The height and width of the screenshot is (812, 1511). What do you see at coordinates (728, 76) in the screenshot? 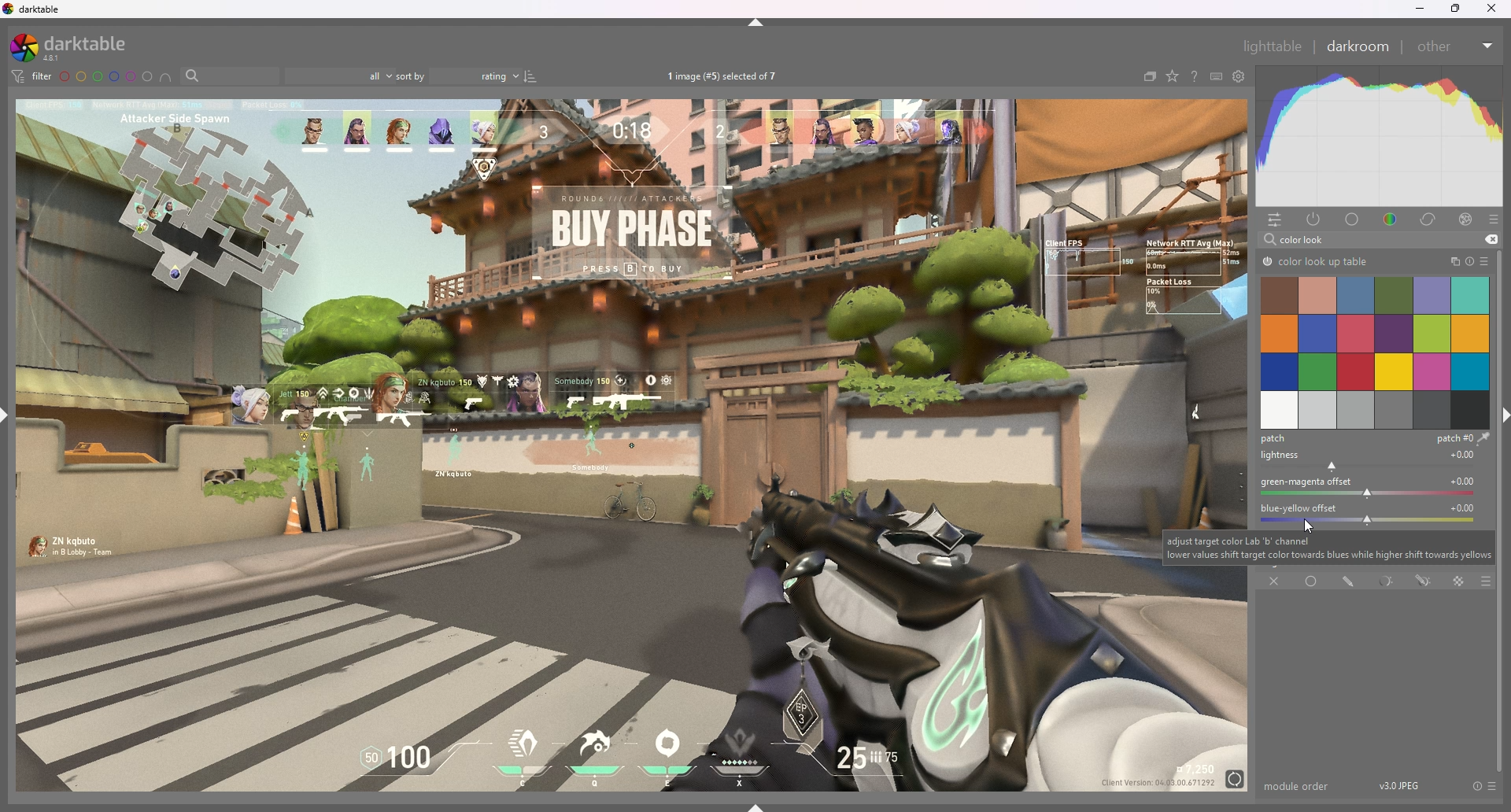
I see `image selected` at bounding box center [728, 76].